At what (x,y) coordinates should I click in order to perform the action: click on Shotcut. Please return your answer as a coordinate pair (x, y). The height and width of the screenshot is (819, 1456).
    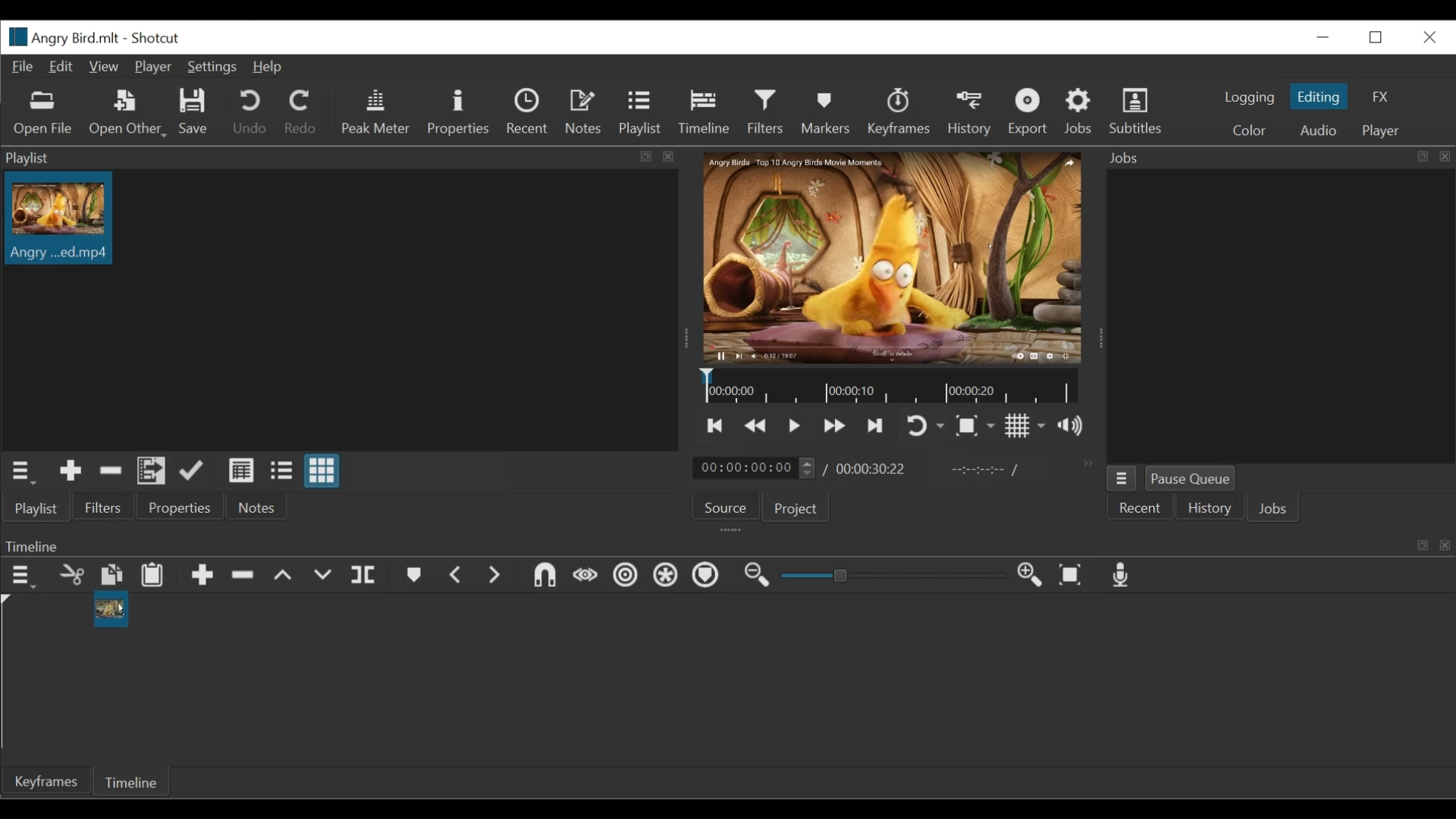
    Looking at the image, I should click on (157, 39).